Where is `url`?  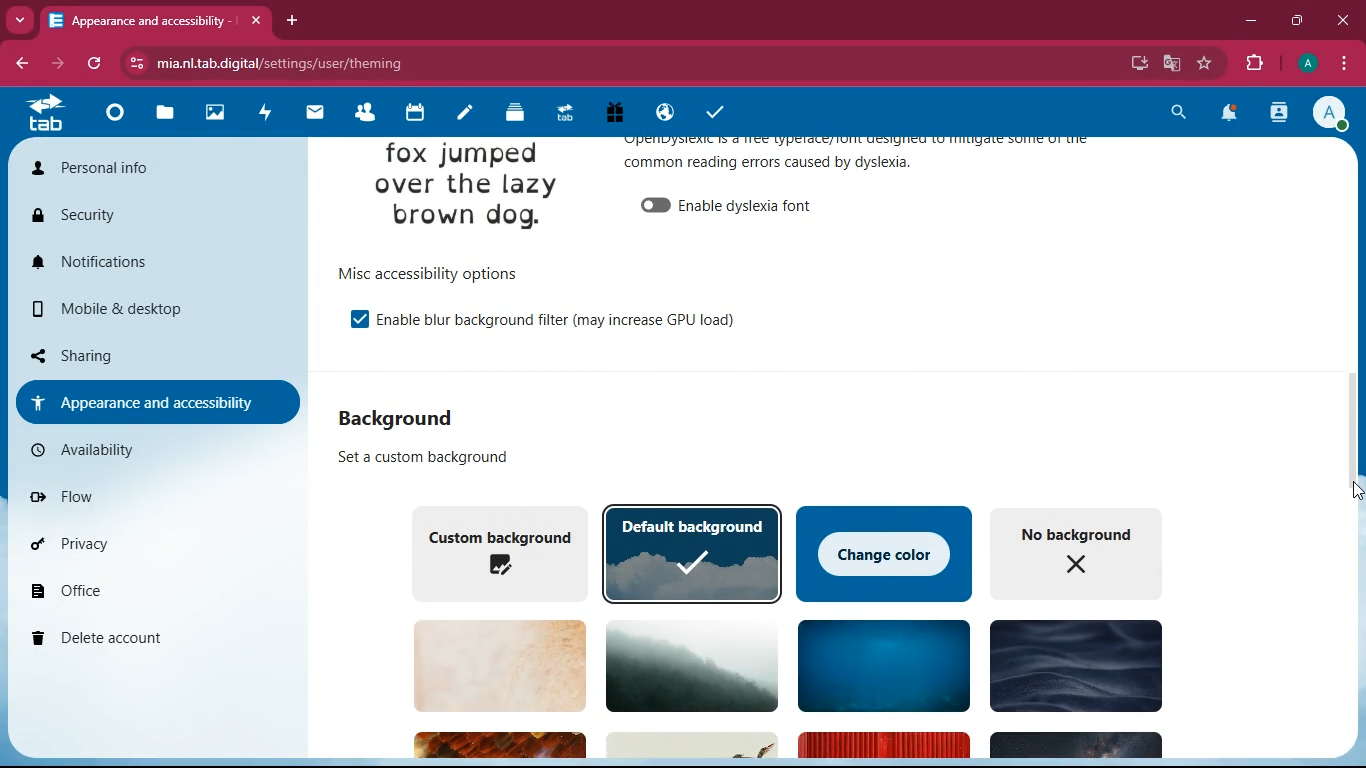
url is located at coordinates (363, 61).